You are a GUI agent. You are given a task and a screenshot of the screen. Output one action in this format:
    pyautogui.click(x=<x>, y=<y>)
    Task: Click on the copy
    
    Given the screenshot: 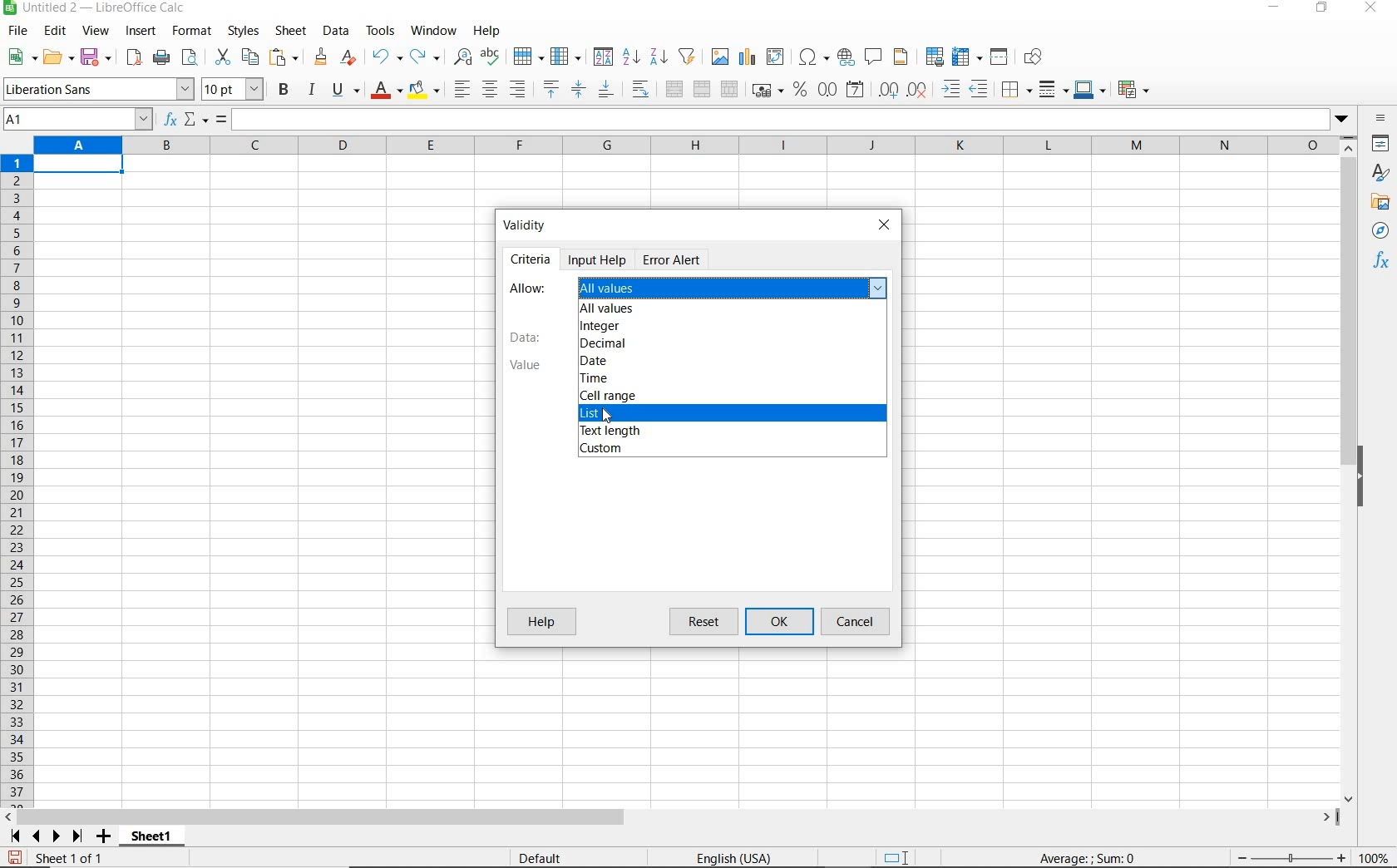 What is the action you would take?
    pyautogui.click(x=251, y=57)
    